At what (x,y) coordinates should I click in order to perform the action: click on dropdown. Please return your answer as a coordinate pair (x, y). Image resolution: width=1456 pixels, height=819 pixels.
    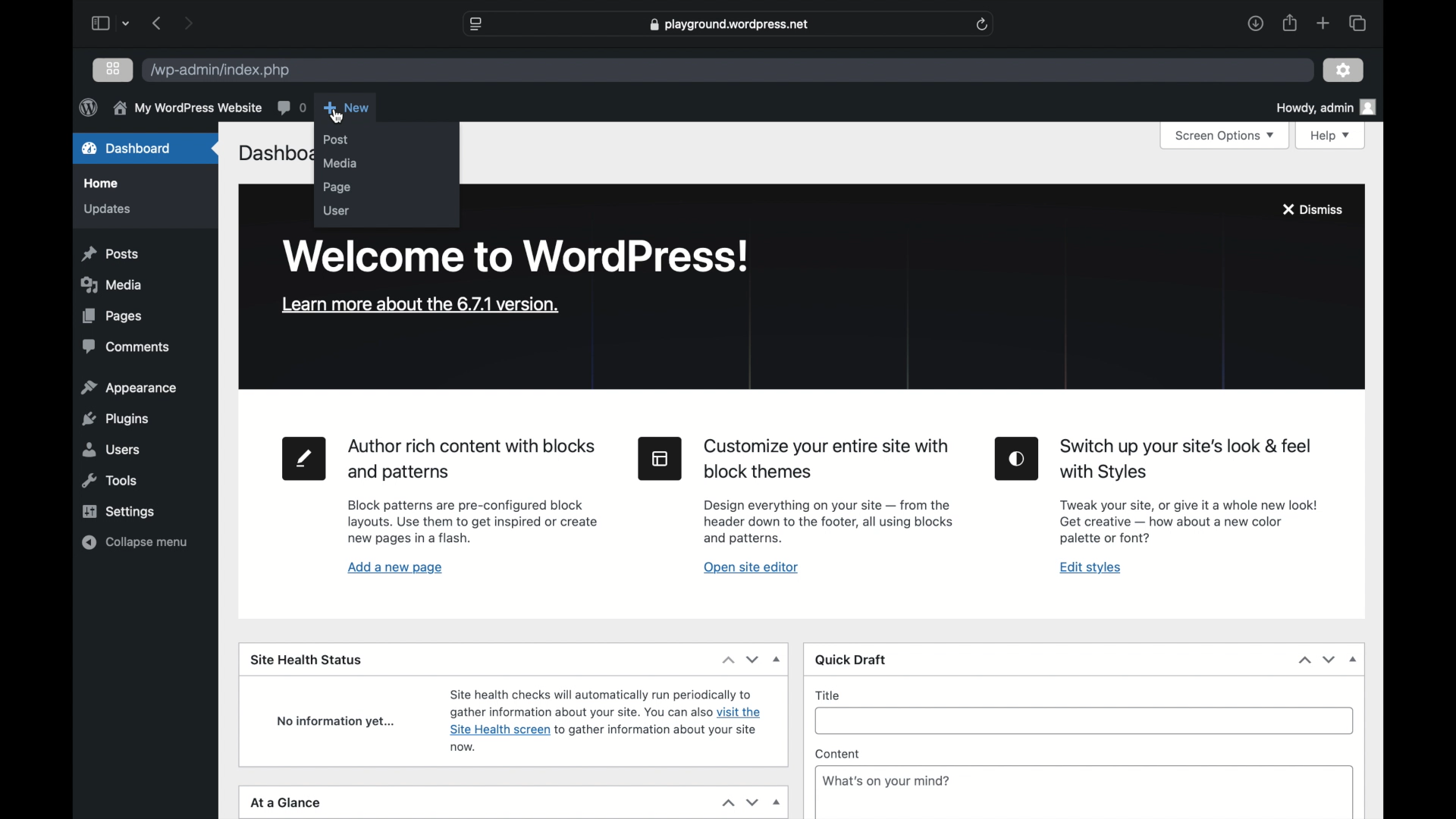
    Looking at the image, I should click on (741, 658).